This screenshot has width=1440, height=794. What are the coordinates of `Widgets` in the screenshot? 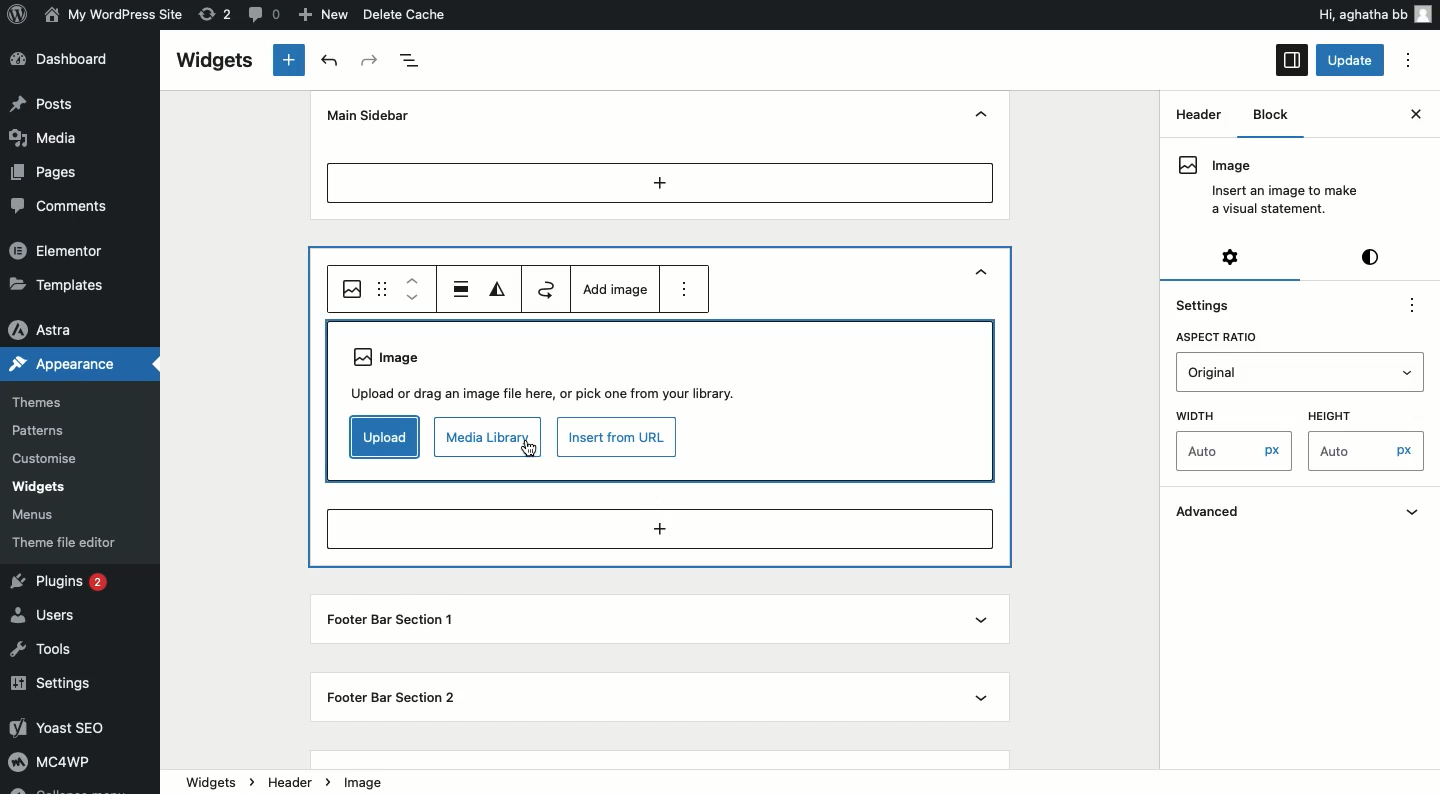 It's located at (38, 487).